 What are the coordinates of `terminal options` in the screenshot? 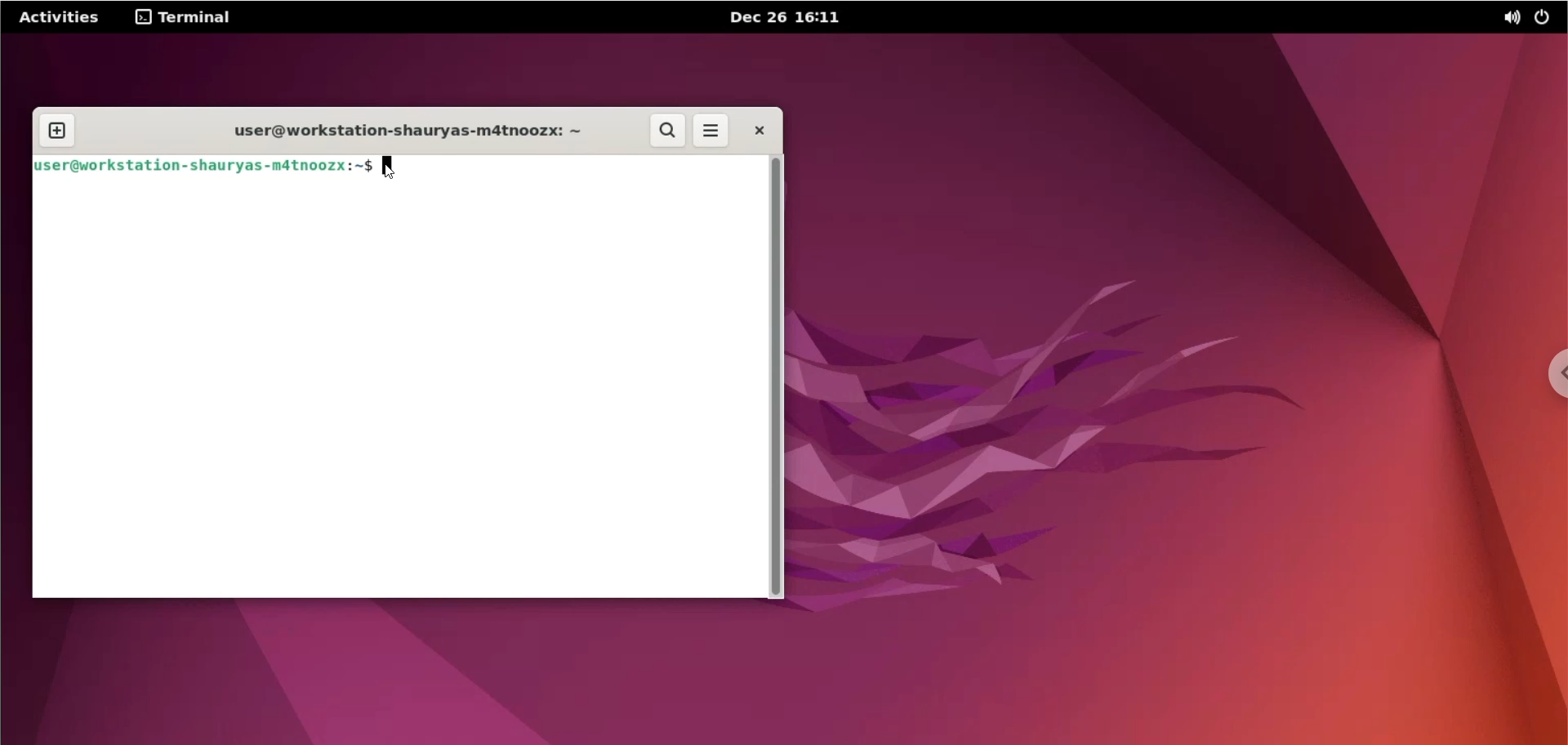 It's located at (189, 19).